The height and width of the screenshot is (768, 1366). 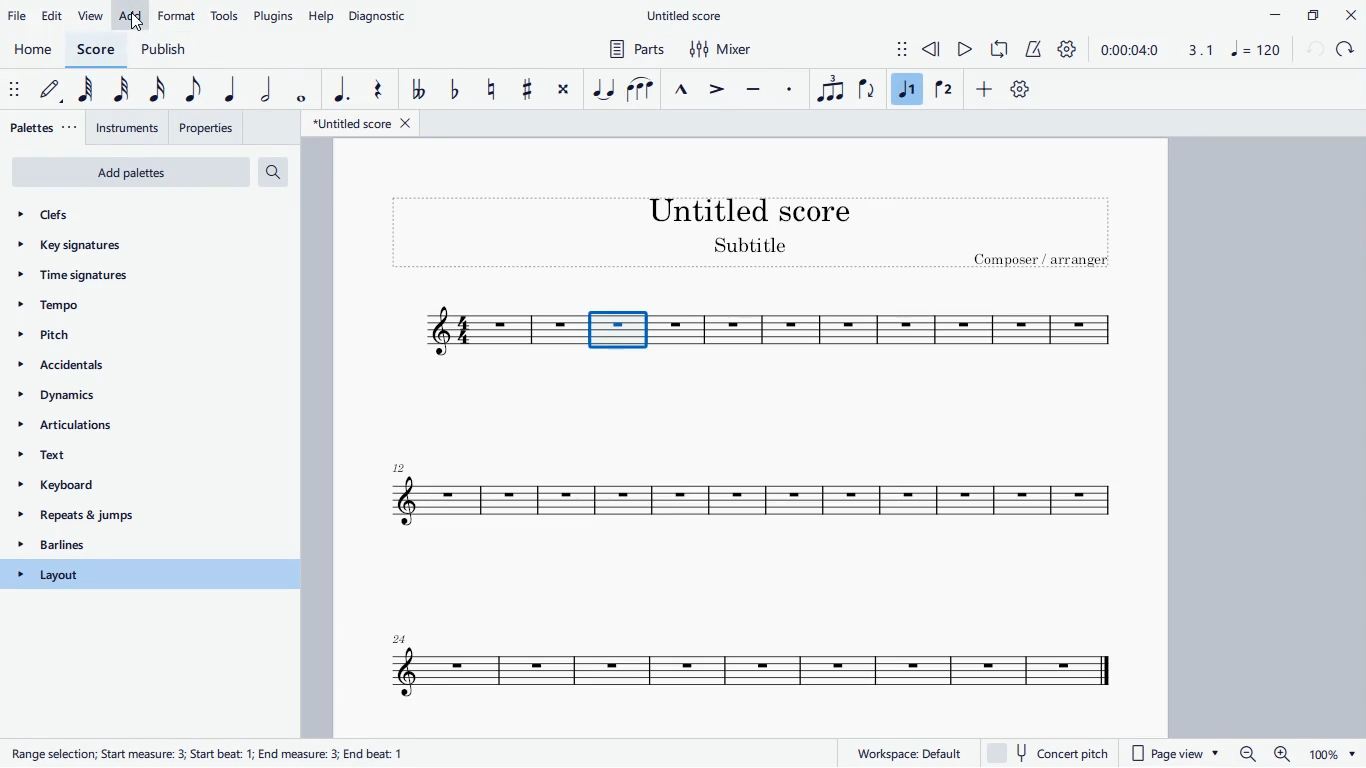 I want to click on tempo, so click(x=117, y=307).